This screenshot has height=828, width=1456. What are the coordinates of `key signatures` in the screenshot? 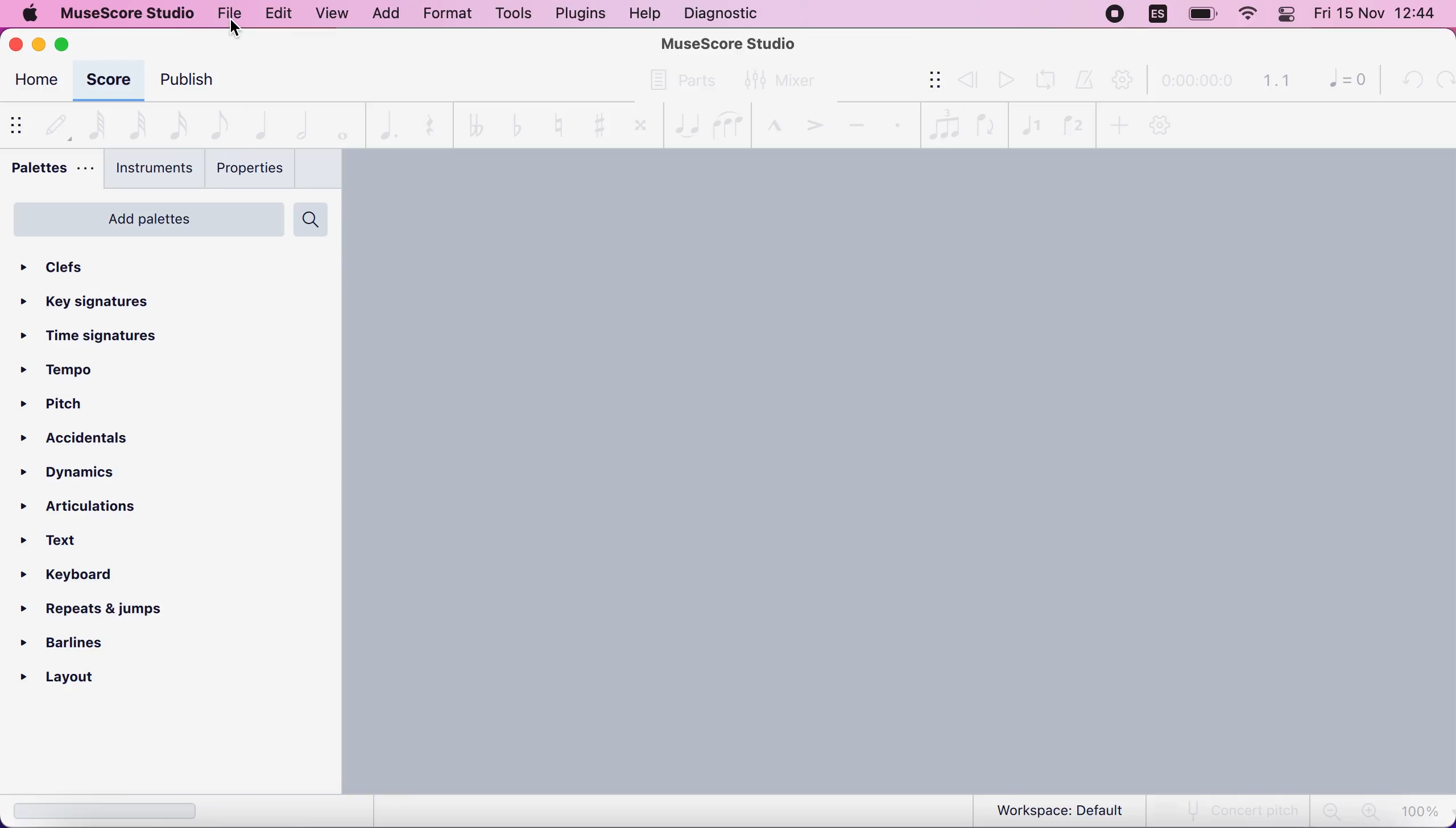 It's located at (112, 299).